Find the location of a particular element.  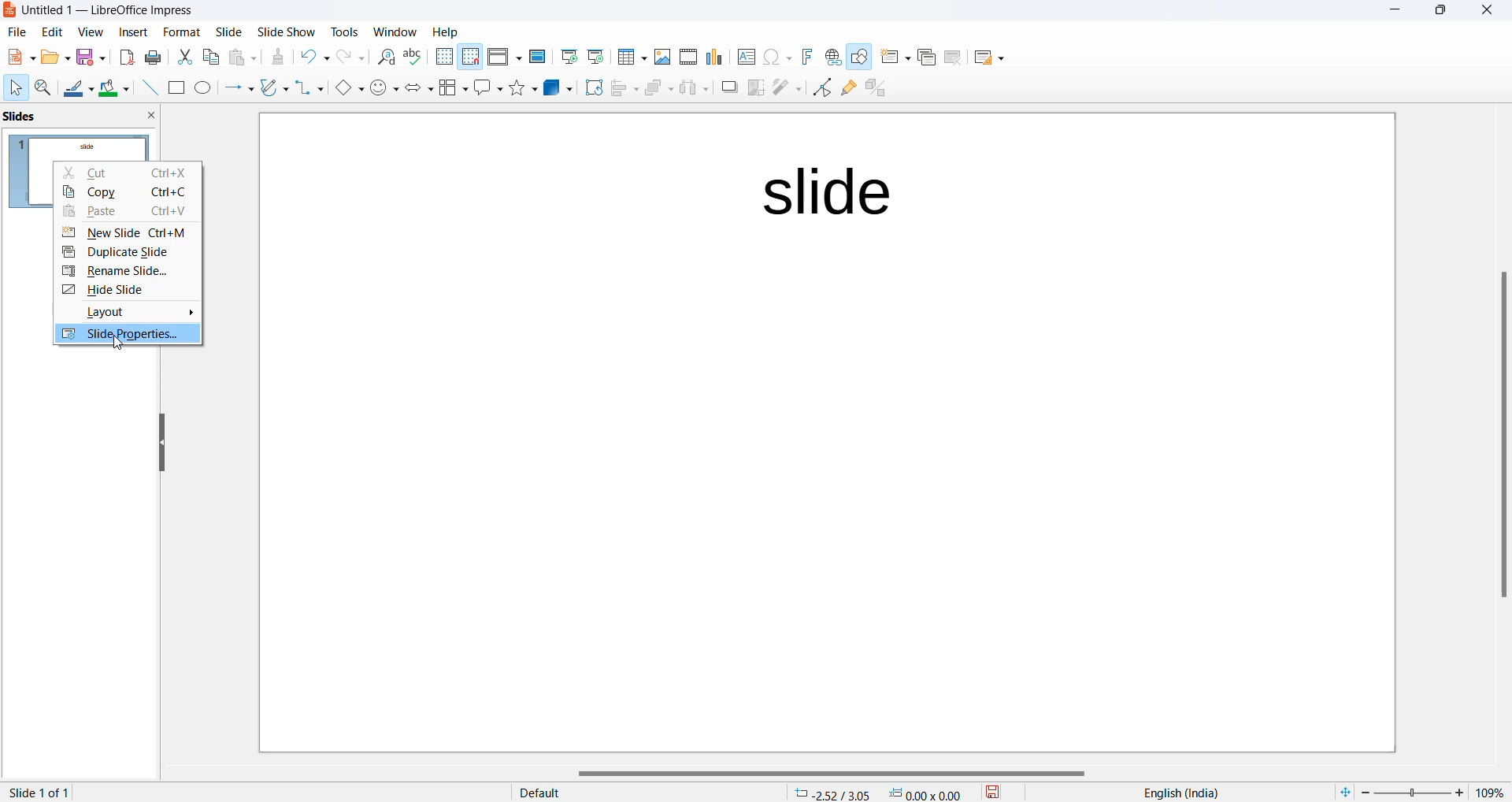

spellings is located at coordinates (415, 58).